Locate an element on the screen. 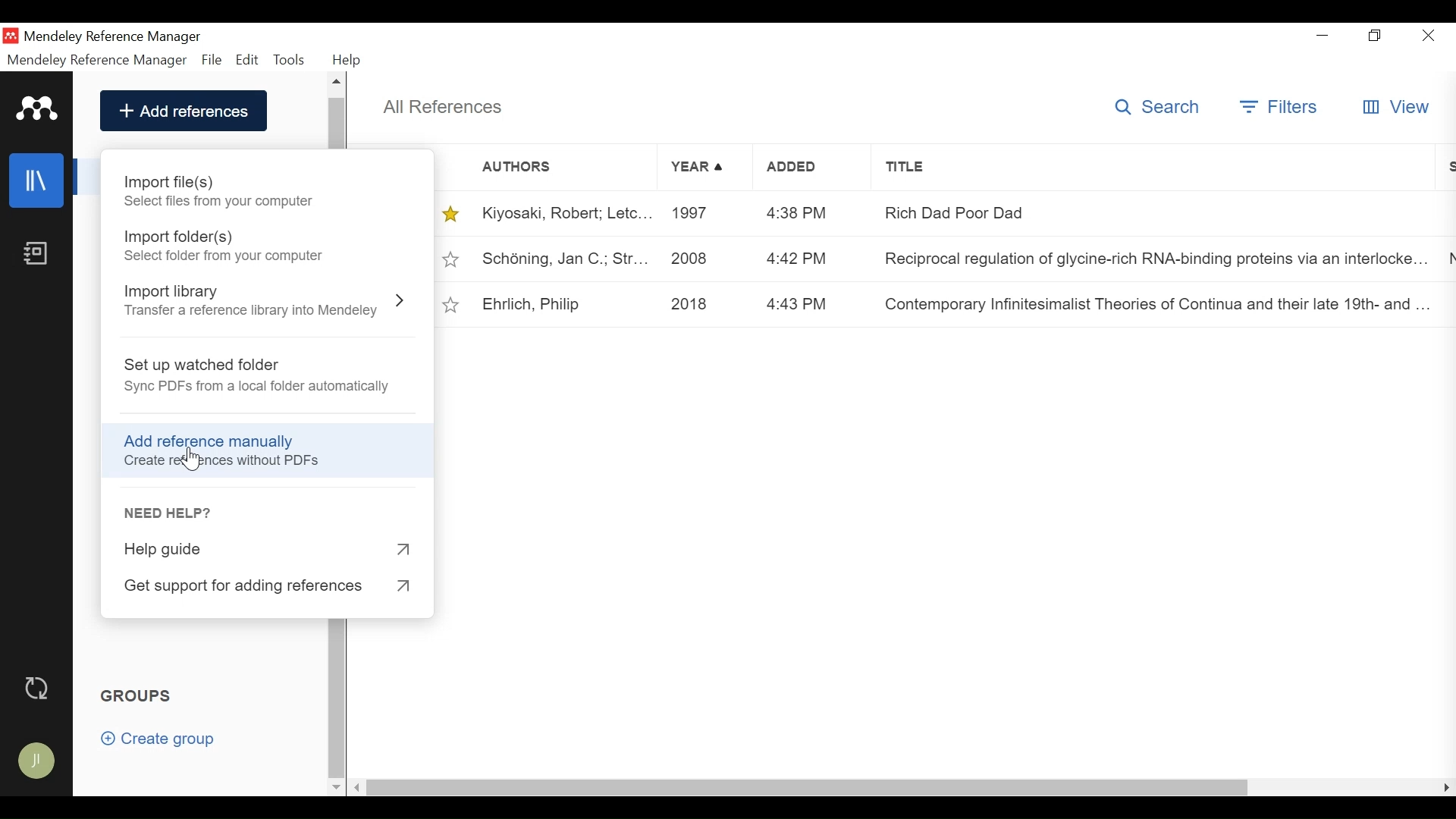 This screenshot has height=819, width=1456. Scroll Right is located at coordinates (1447, 788).